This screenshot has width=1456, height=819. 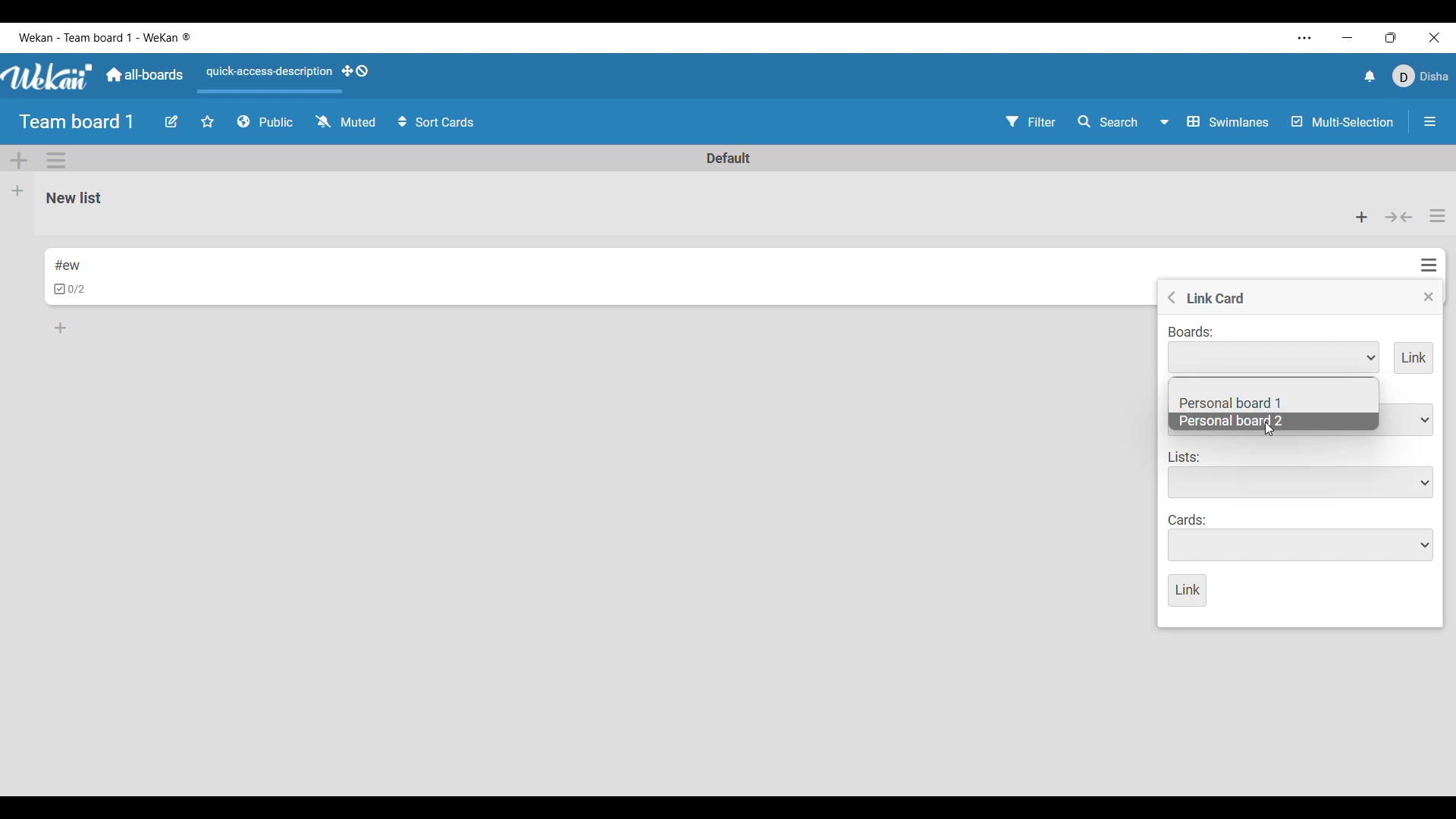 What do you see at coordinates (77, 122) in the screenshot?
I see `Board title` at bounding box center [77, 122].